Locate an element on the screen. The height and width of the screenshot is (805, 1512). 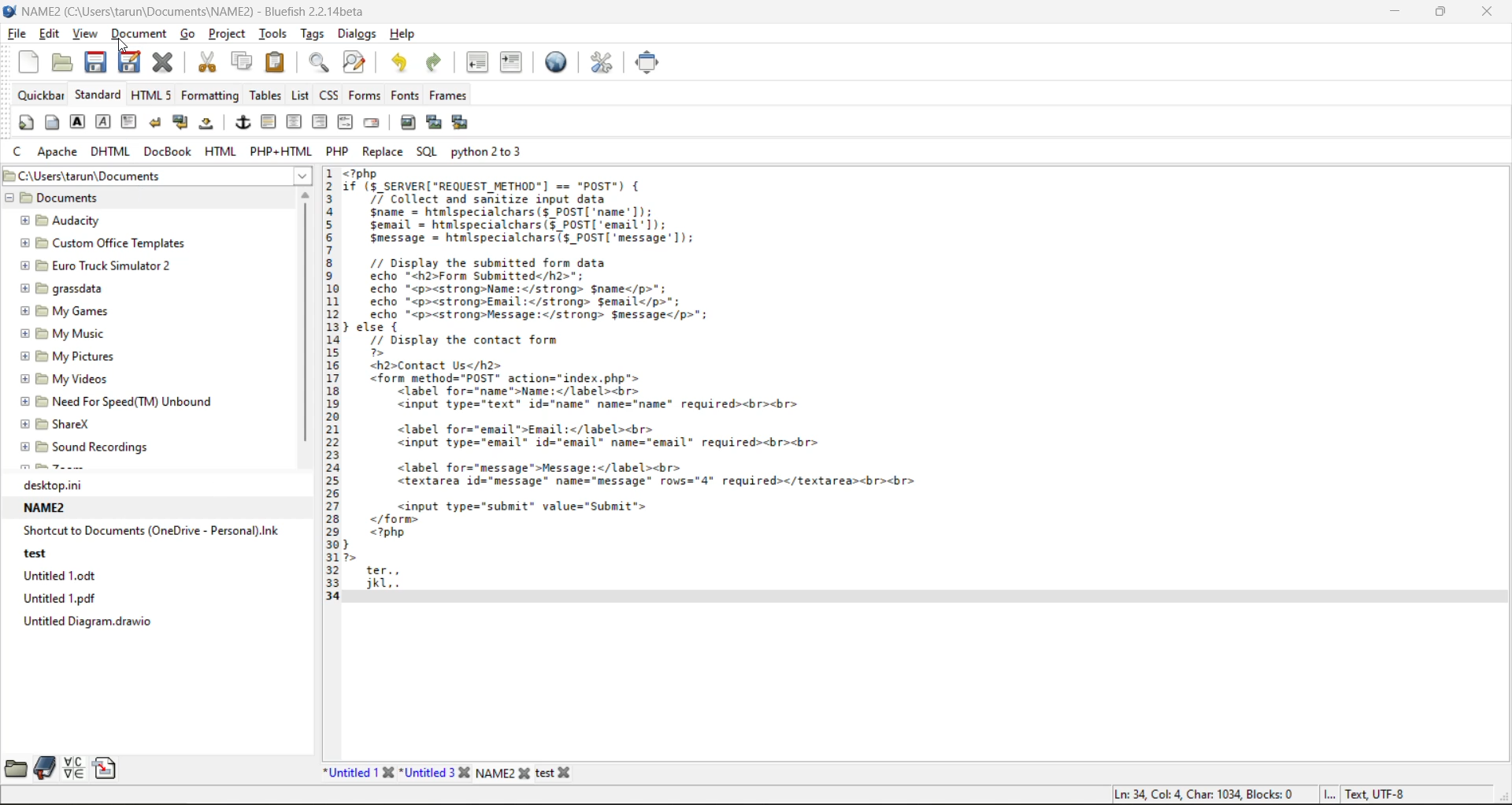
full screen is located at coordinates (646, 61).